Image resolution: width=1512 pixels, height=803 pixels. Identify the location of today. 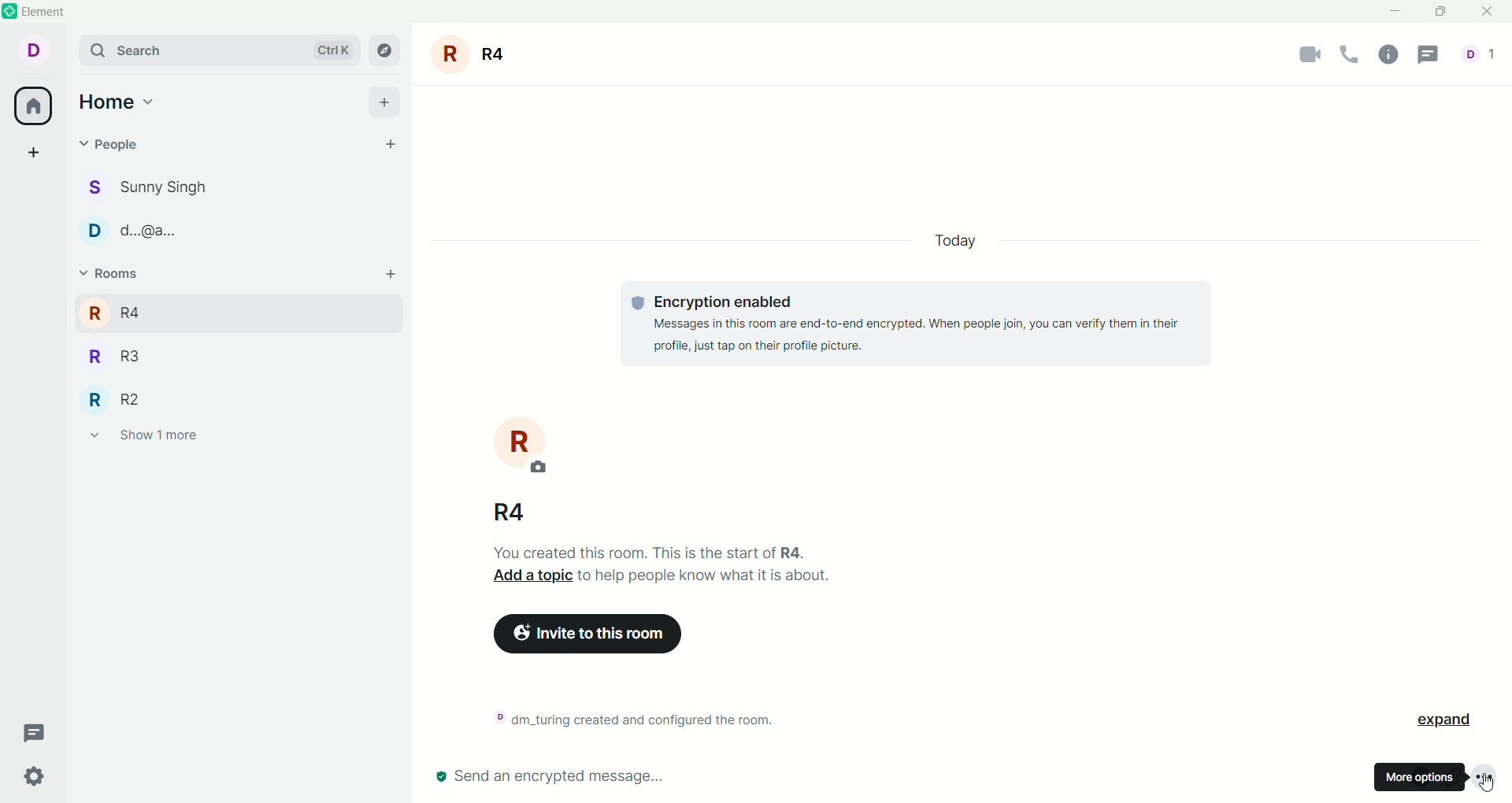
(953, 240).